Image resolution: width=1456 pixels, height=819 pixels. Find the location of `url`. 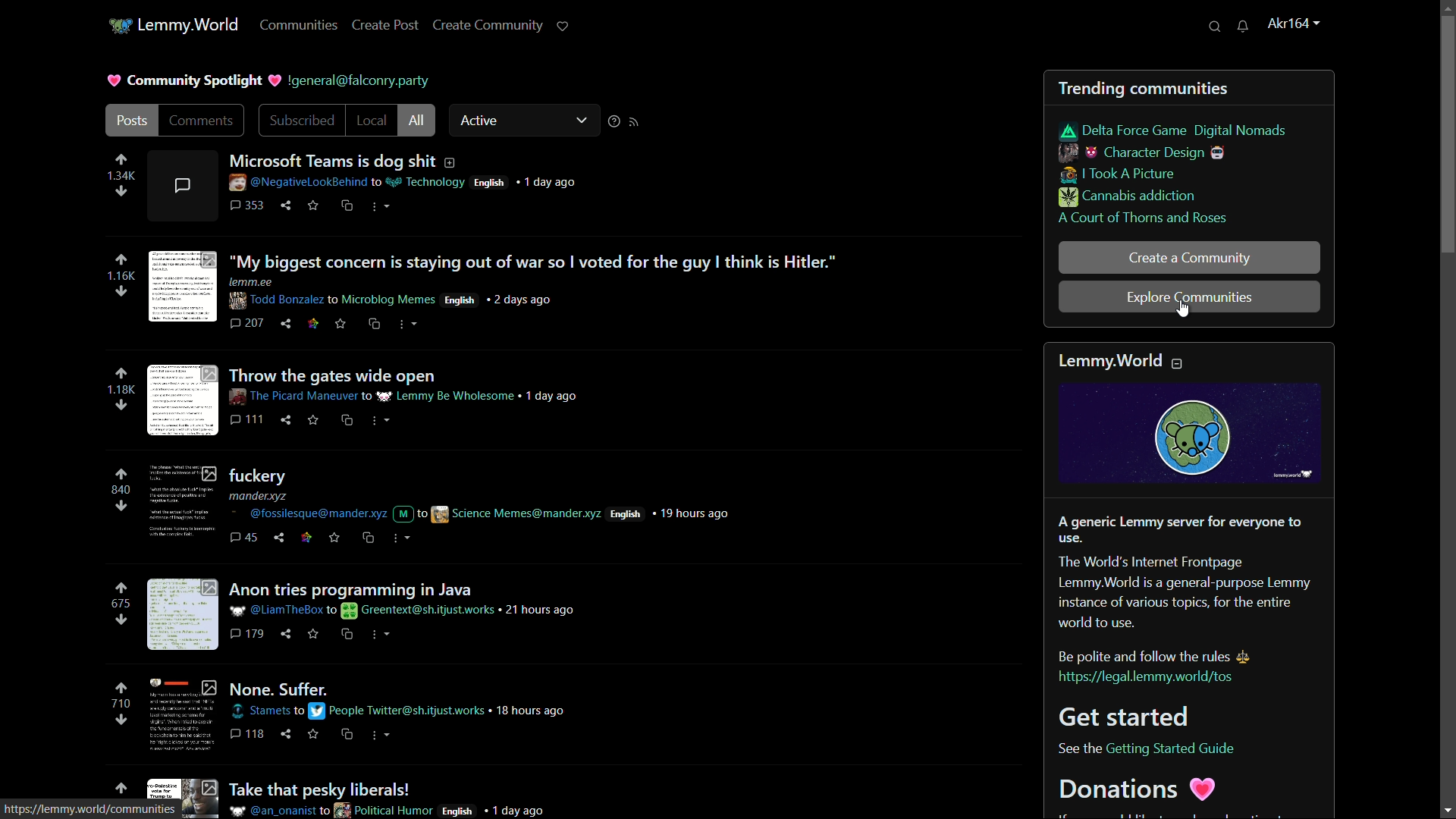

url is located at coordinates (87, 808).